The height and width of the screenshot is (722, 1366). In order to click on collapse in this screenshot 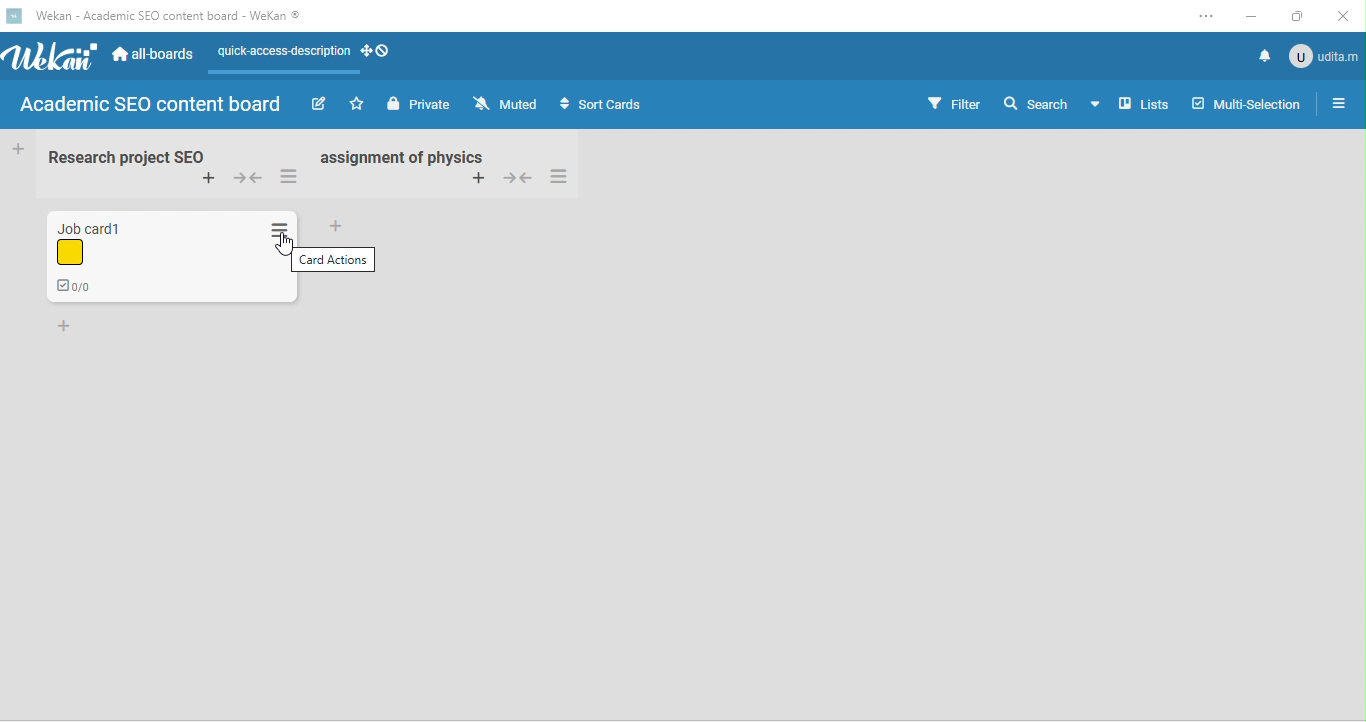, I will do `click(245, 178)`.